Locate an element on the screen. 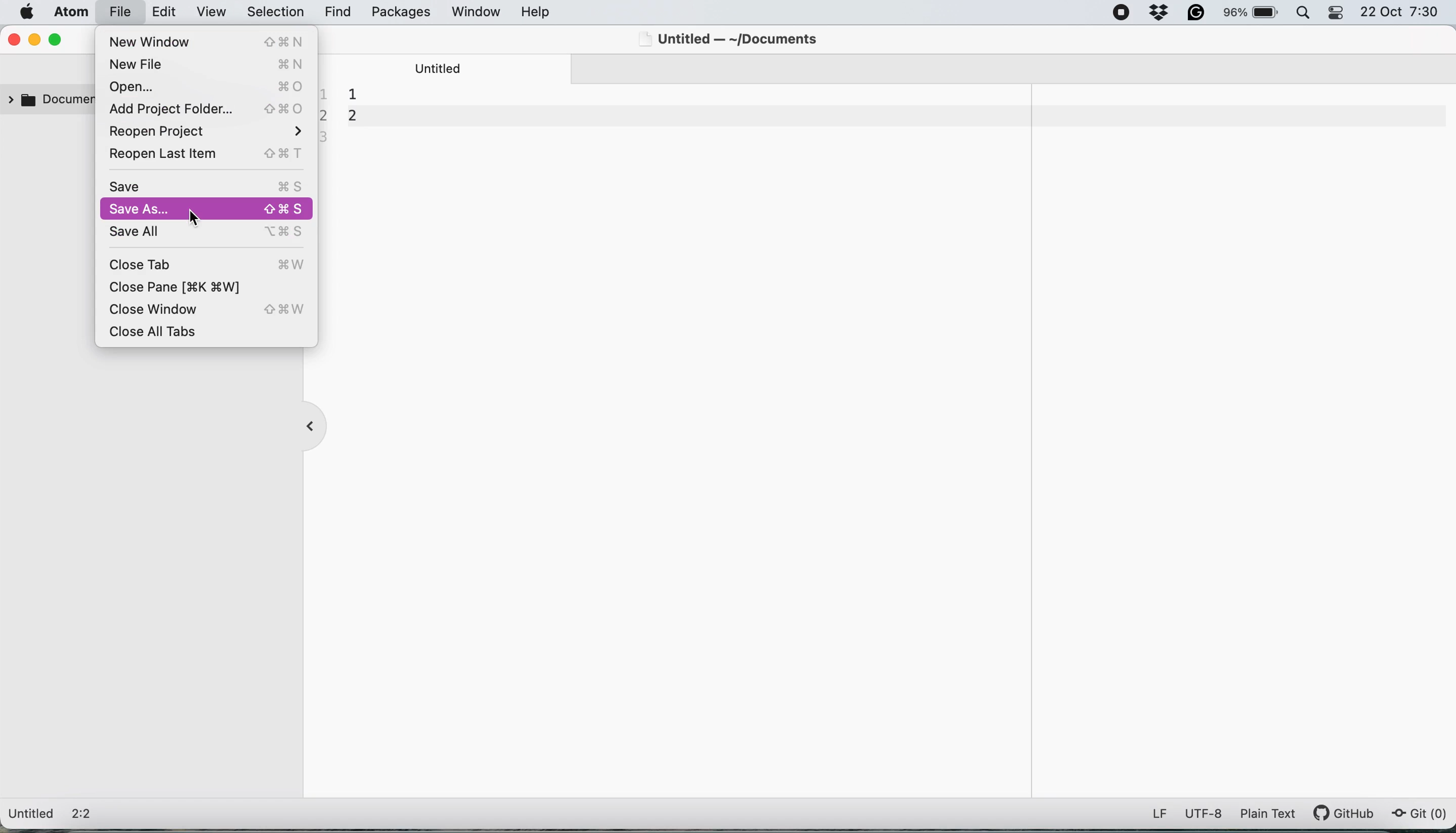  New File is located at coordinates (205, 62).